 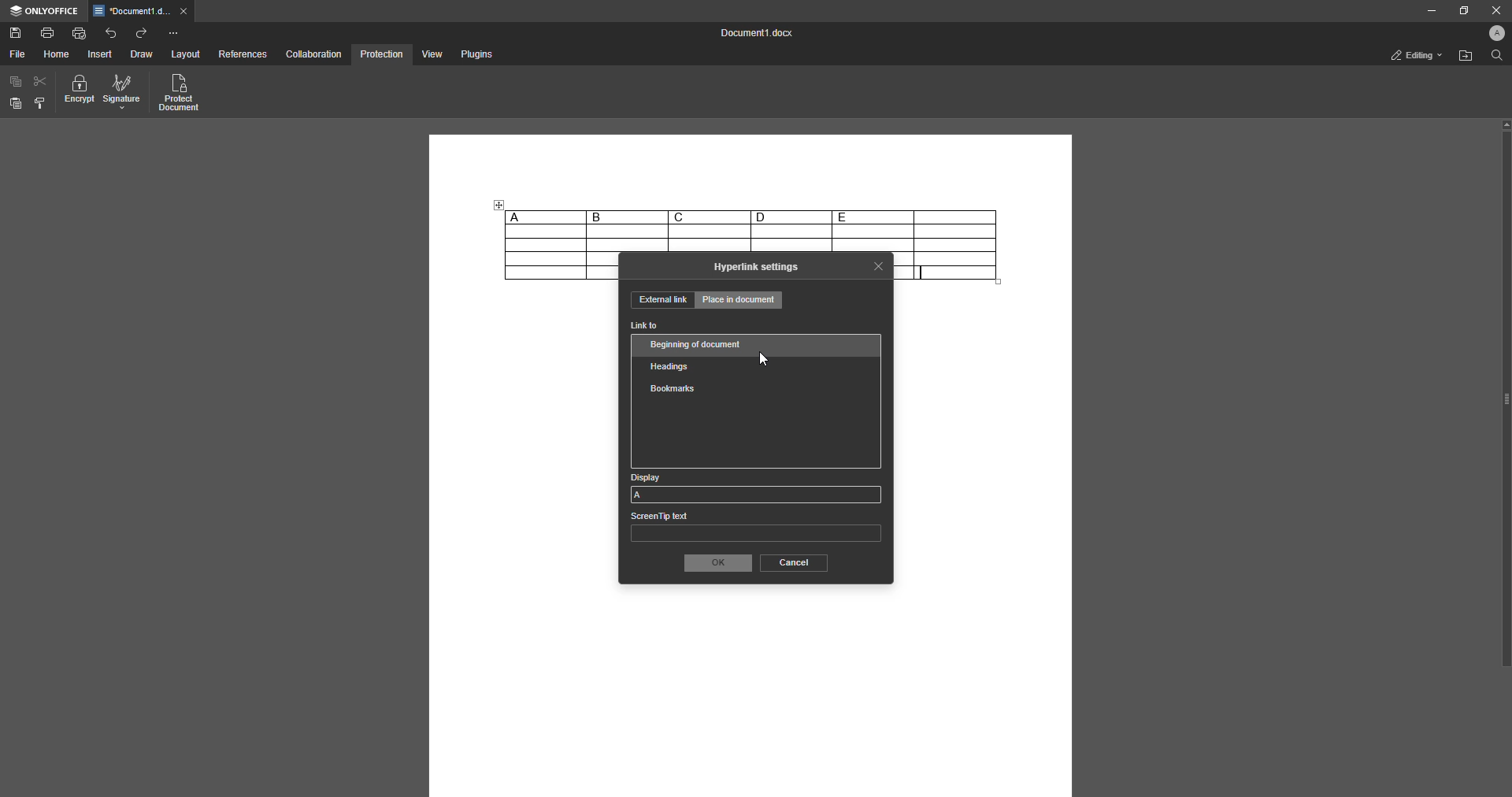 I want to click on layout, so click(x=187, y=55).